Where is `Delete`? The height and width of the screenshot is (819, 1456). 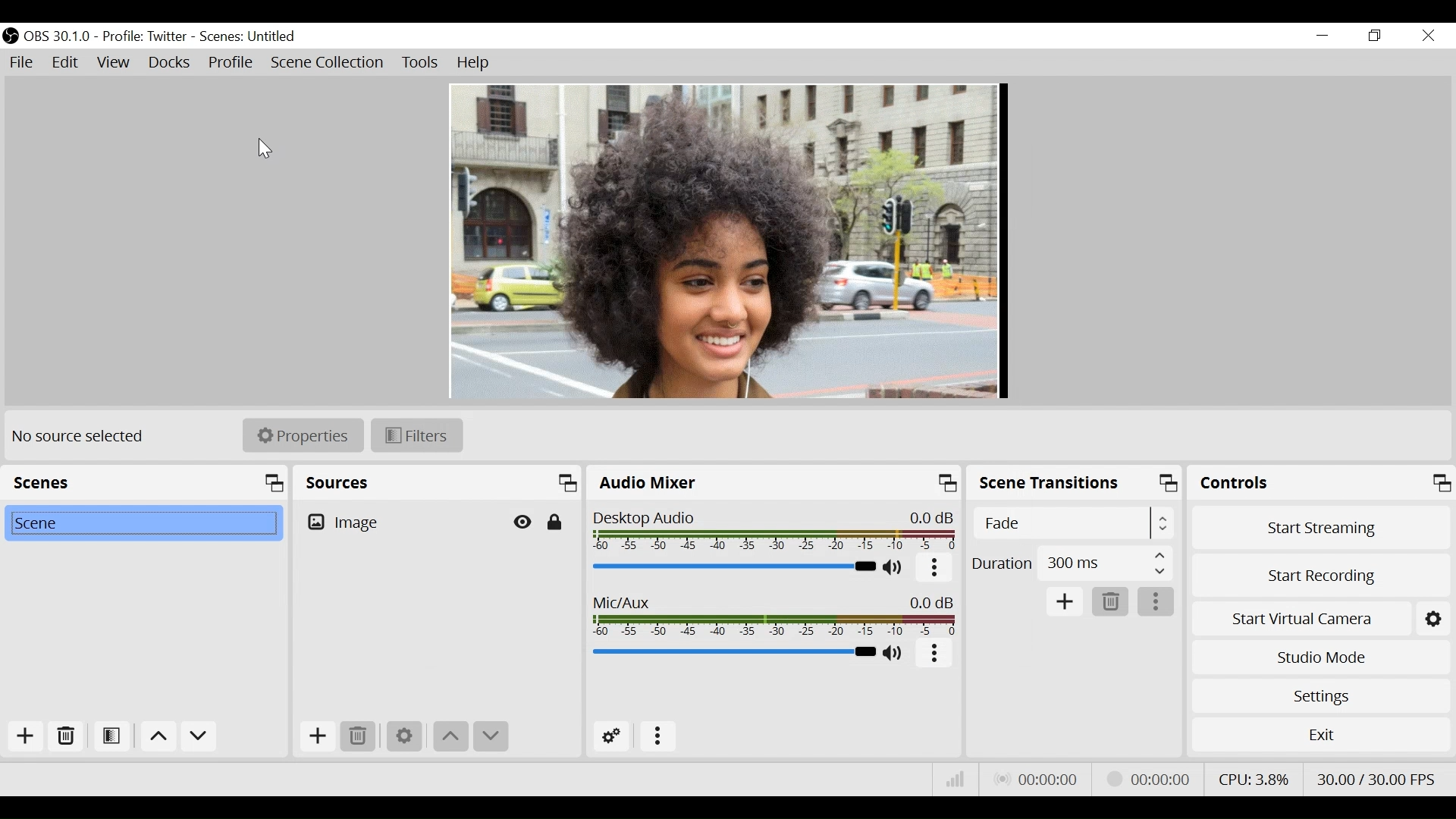
Delete is located at coordinates (1111, 601).